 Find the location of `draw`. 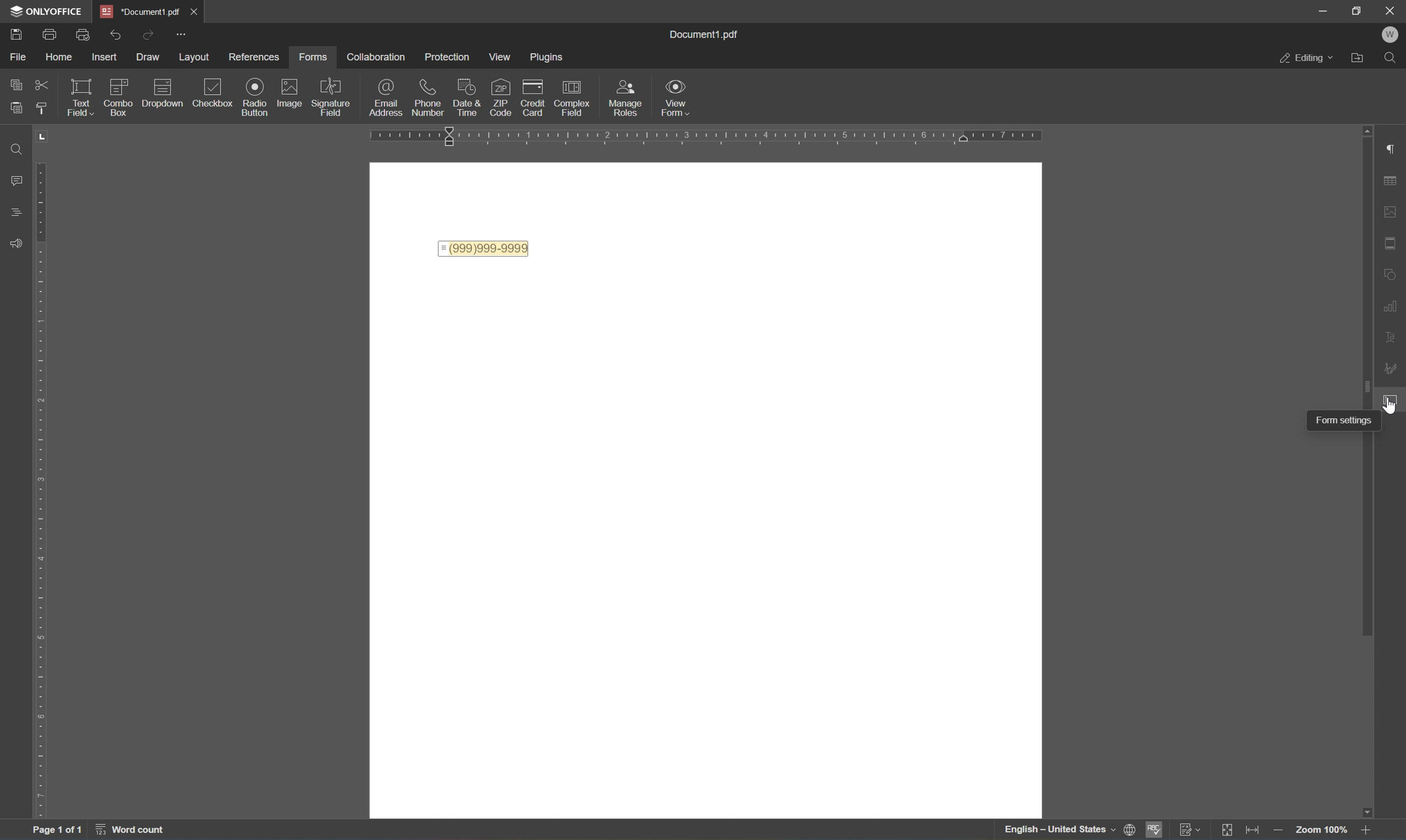

draw is located at coordinates (144, 57).